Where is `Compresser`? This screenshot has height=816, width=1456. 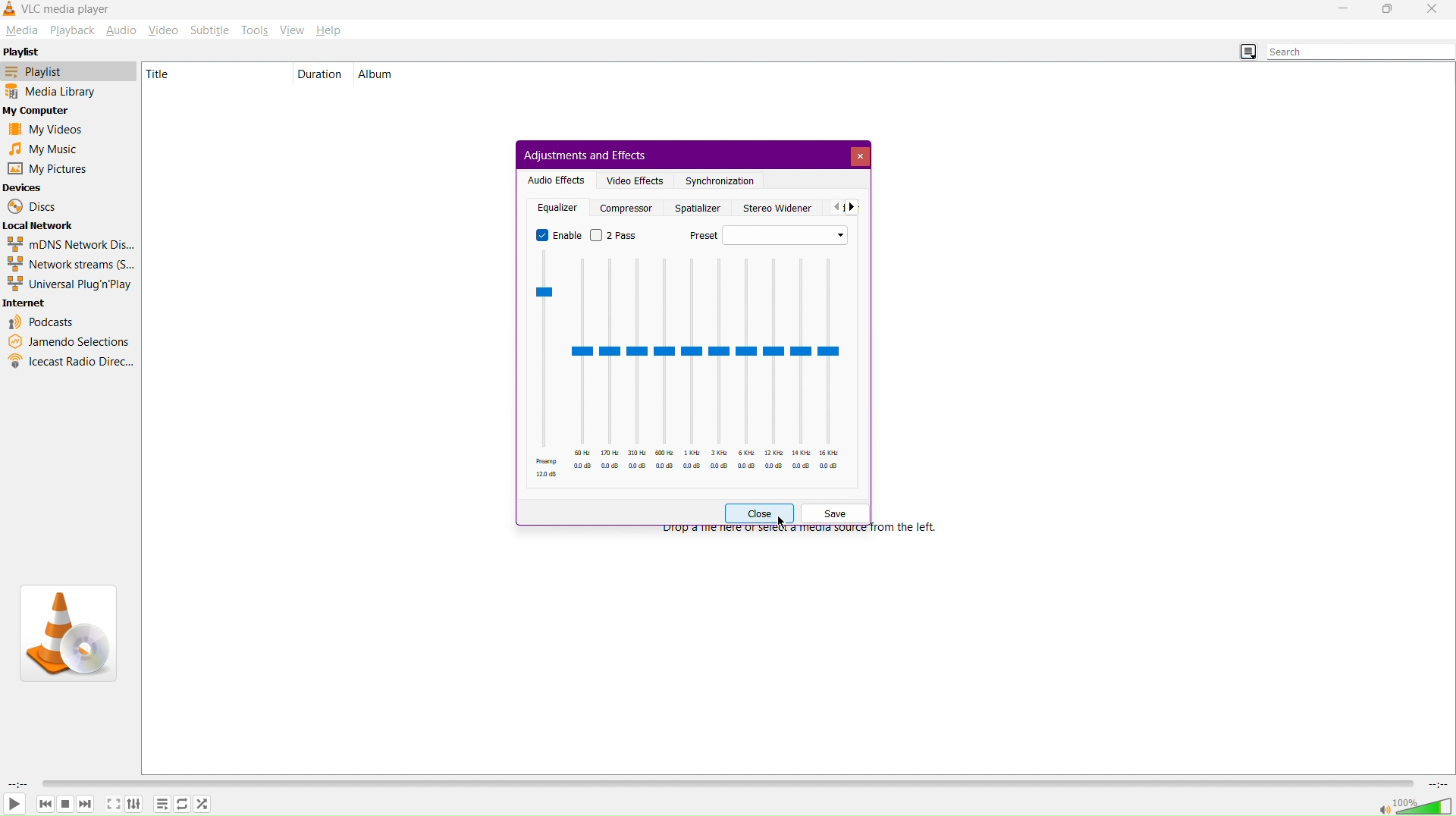 Compresser is located at coordinates (629, 206).